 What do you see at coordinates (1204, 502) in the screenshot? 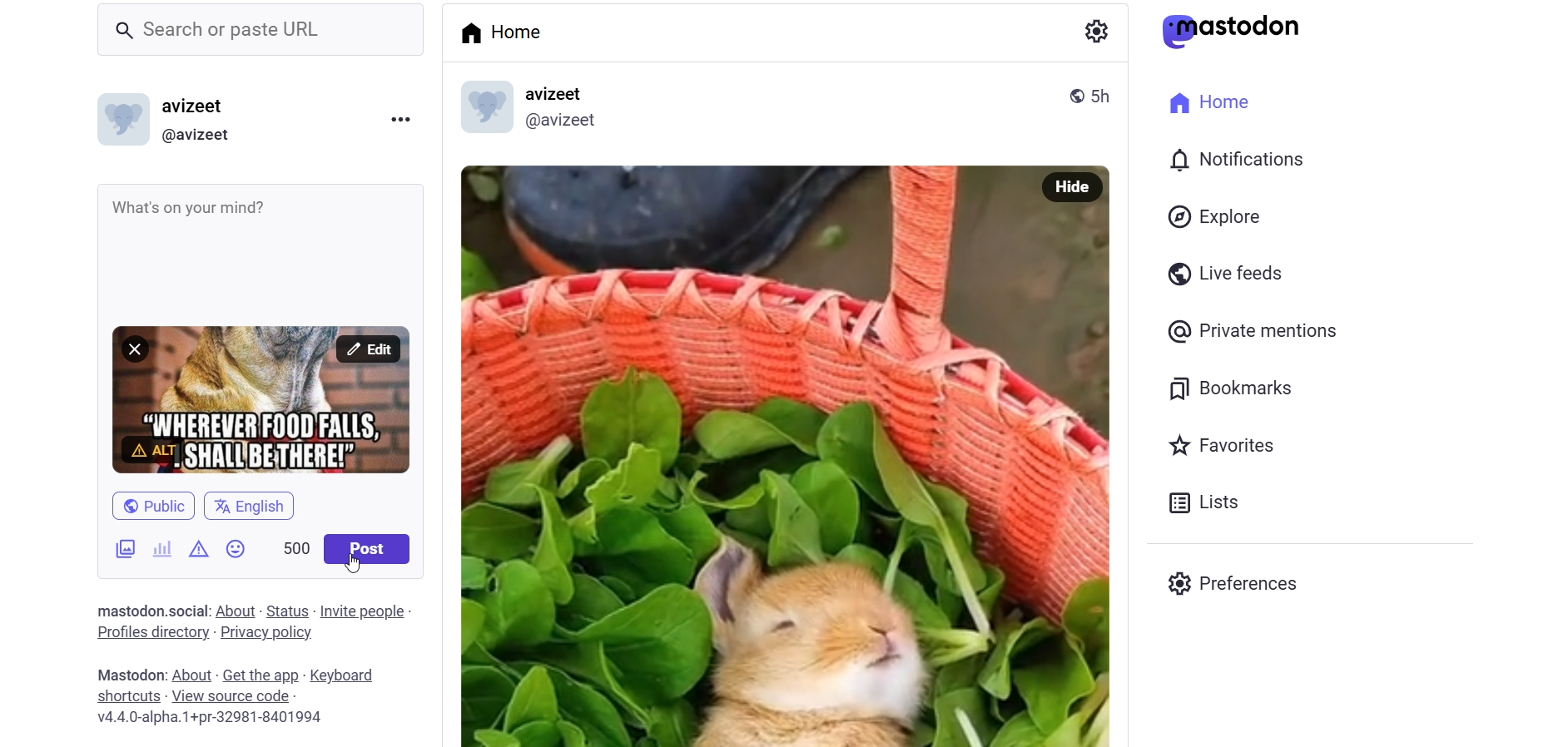
I see `list` at bounding box center [1204, 502].